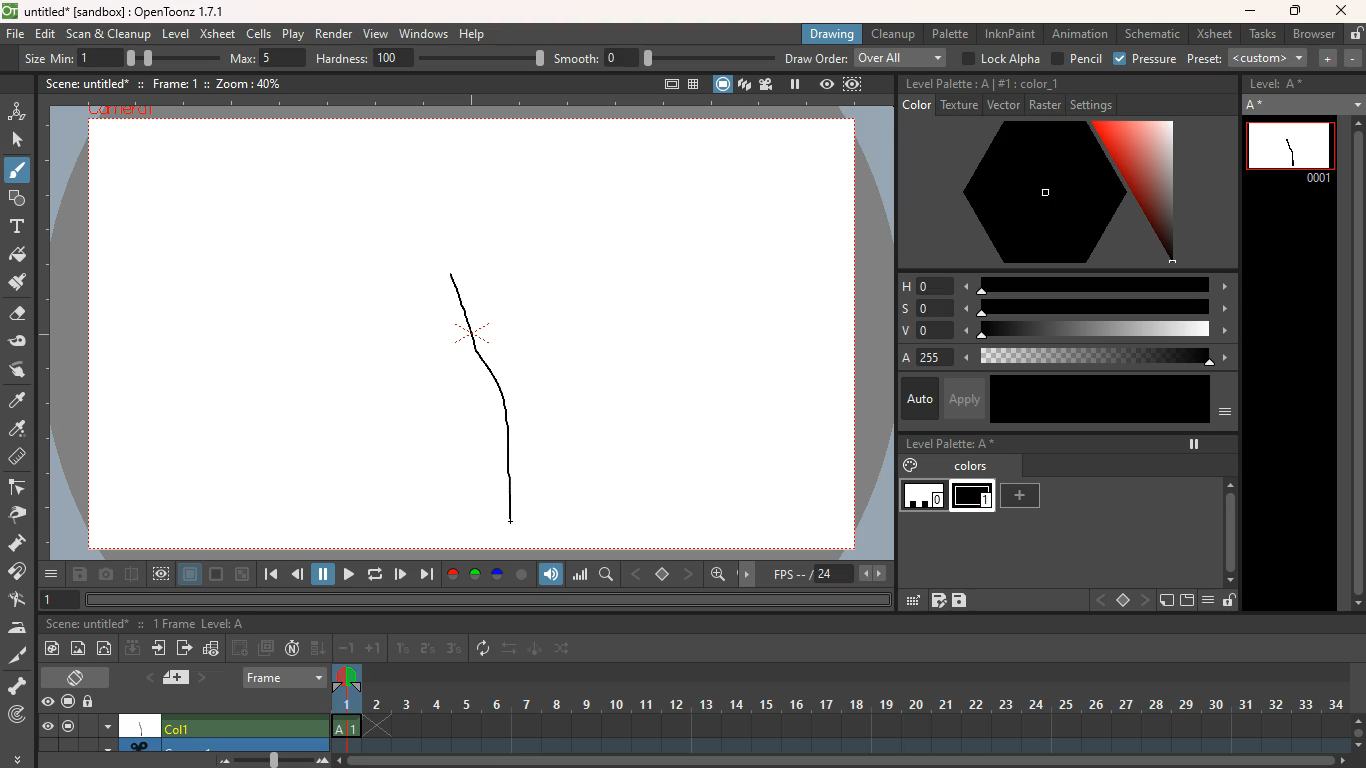 The image size is (1366, 768). I want to click on volume, so click(553, 573).